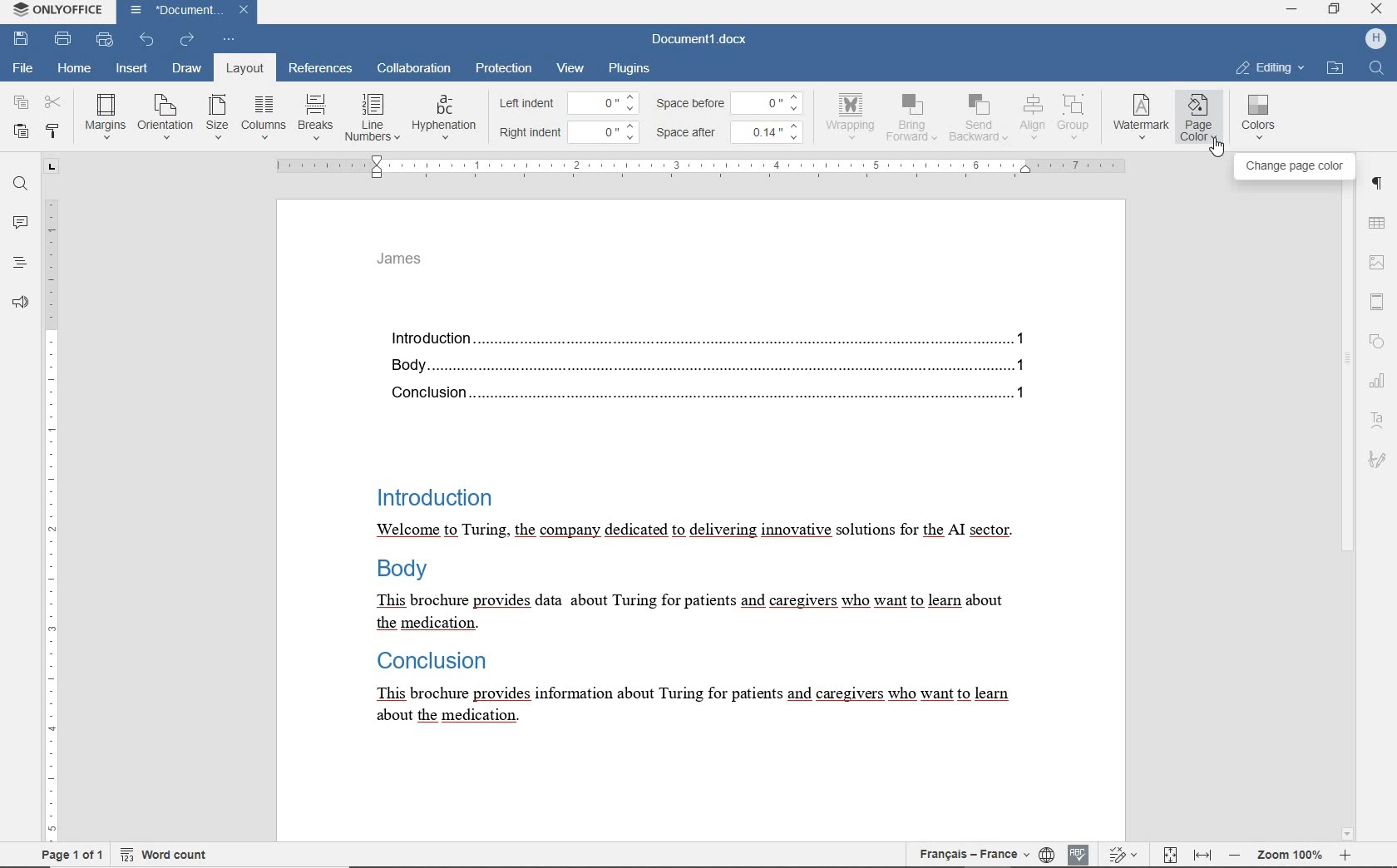 The height and width of the screenshot is (868, 1397). I want to click on system anme, so click(63, 11).